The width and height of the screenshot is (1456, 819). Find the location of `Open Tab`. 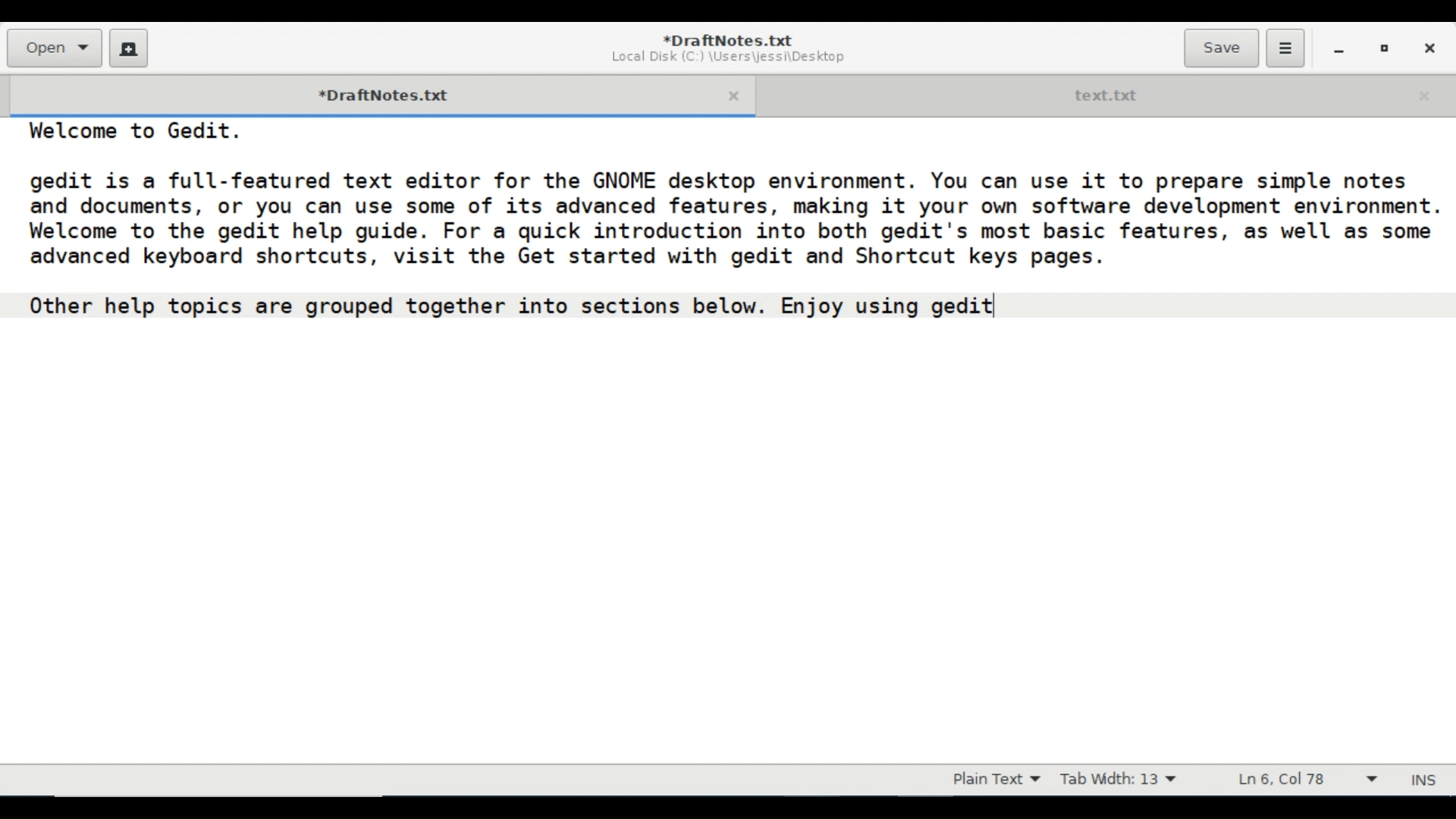

Open Tab is located at coordinates (1104, 93).